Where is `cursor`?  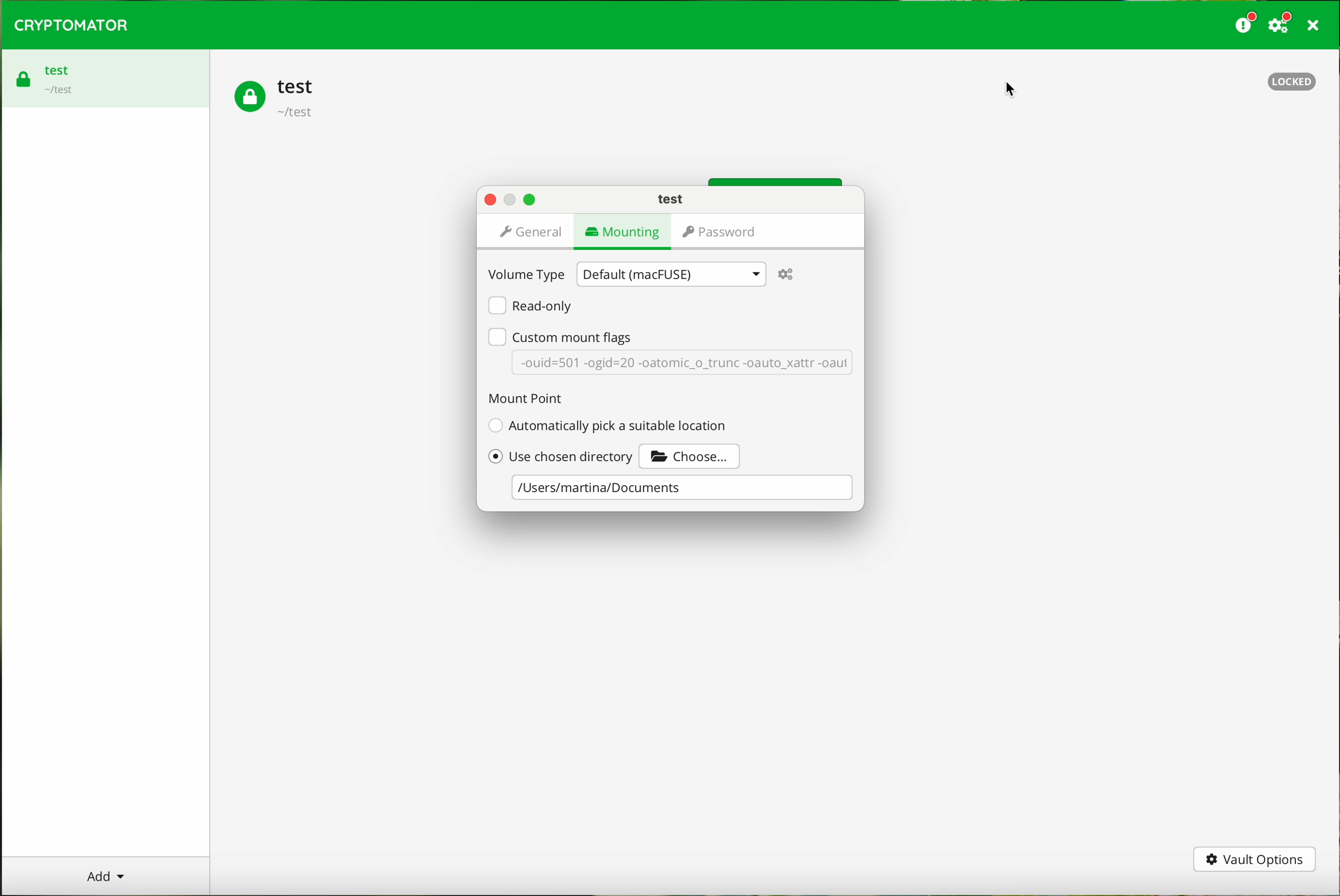
cursor is located at coordinates (1008, 87).